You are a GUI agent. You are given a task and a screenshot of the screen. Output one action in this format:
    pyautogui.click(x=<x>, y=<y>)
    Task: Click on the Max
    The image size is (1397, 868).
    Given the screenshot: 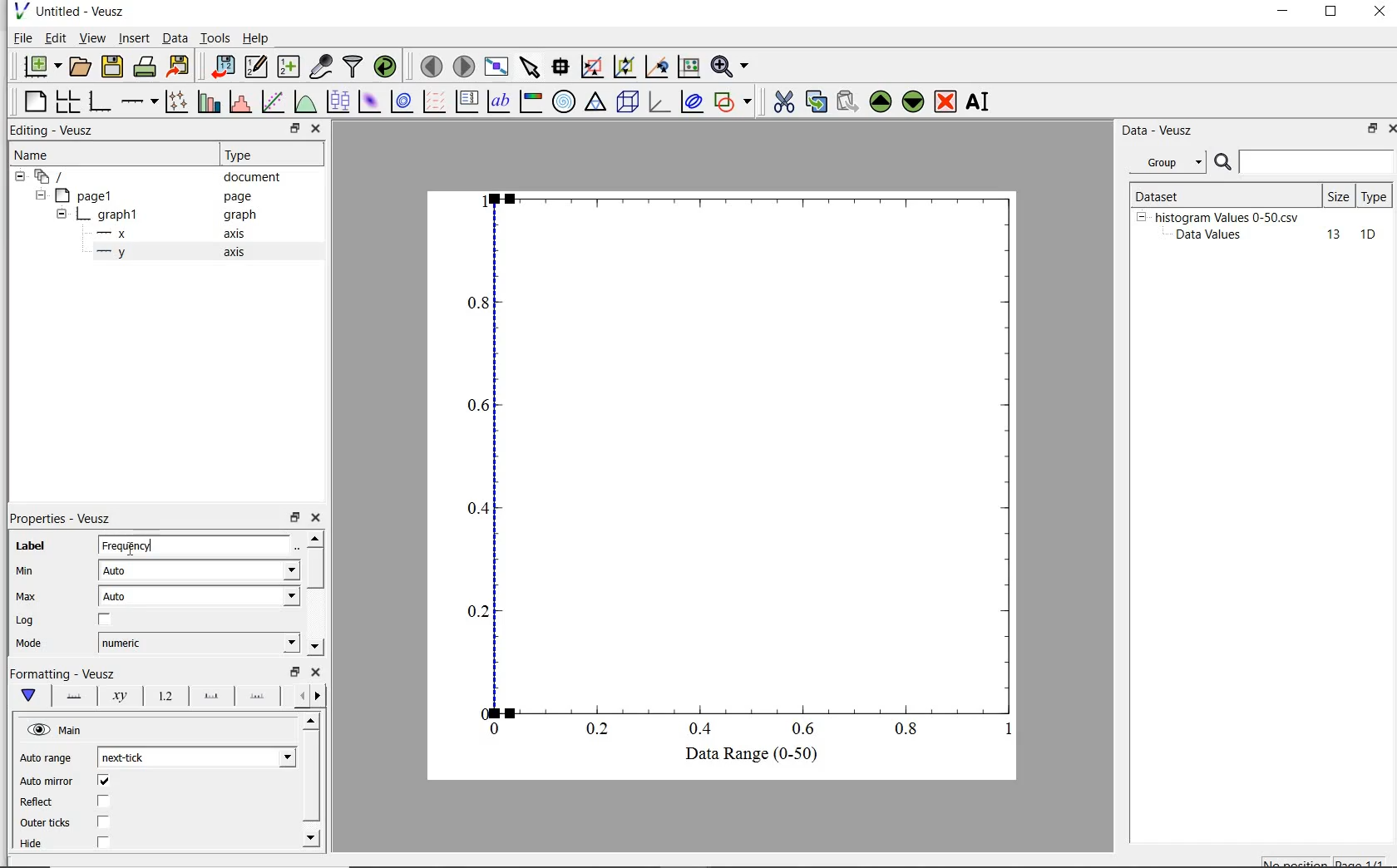 What is the action you would take?
    pyautogui.click(x=27, y=596)
    